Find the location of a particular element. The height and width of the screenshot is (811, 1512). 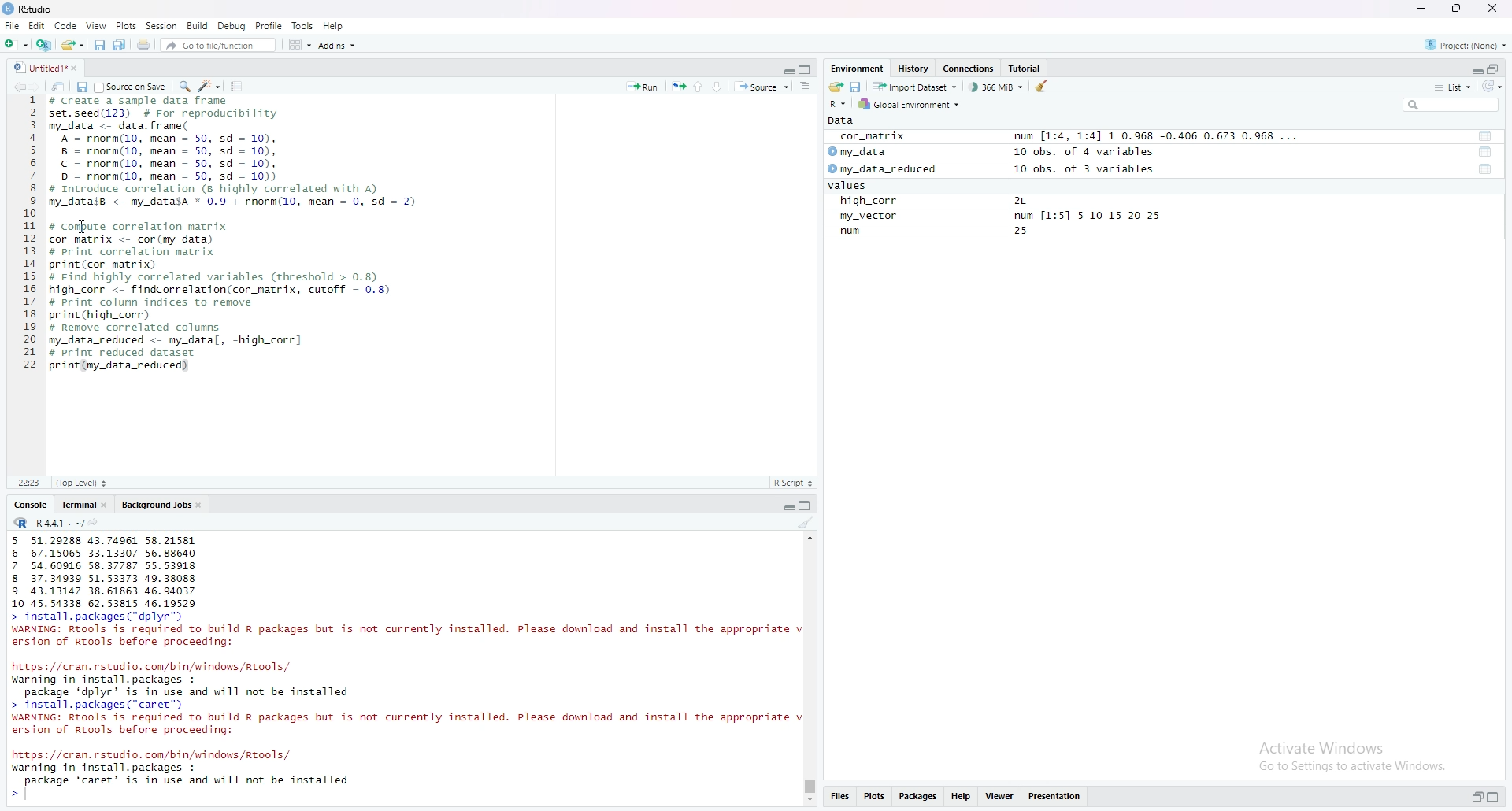

# Compute correlation matrix

cor_natrix <- cor (my_data)

# Print correlation matrix

print (cor_matrix)

# Find highly correlated variables (threshold > 0.8
high_corr <- findcorrelation(cor_matrix, cutoff = 0.8)
# Print column indices to remove

print (high_corr)

# Remove correlated columns

my_data_reduced <- my_datal, -high_corr]

# Print reduced dataset

print (my_data_reduced) is located at coordinates (220, 299).